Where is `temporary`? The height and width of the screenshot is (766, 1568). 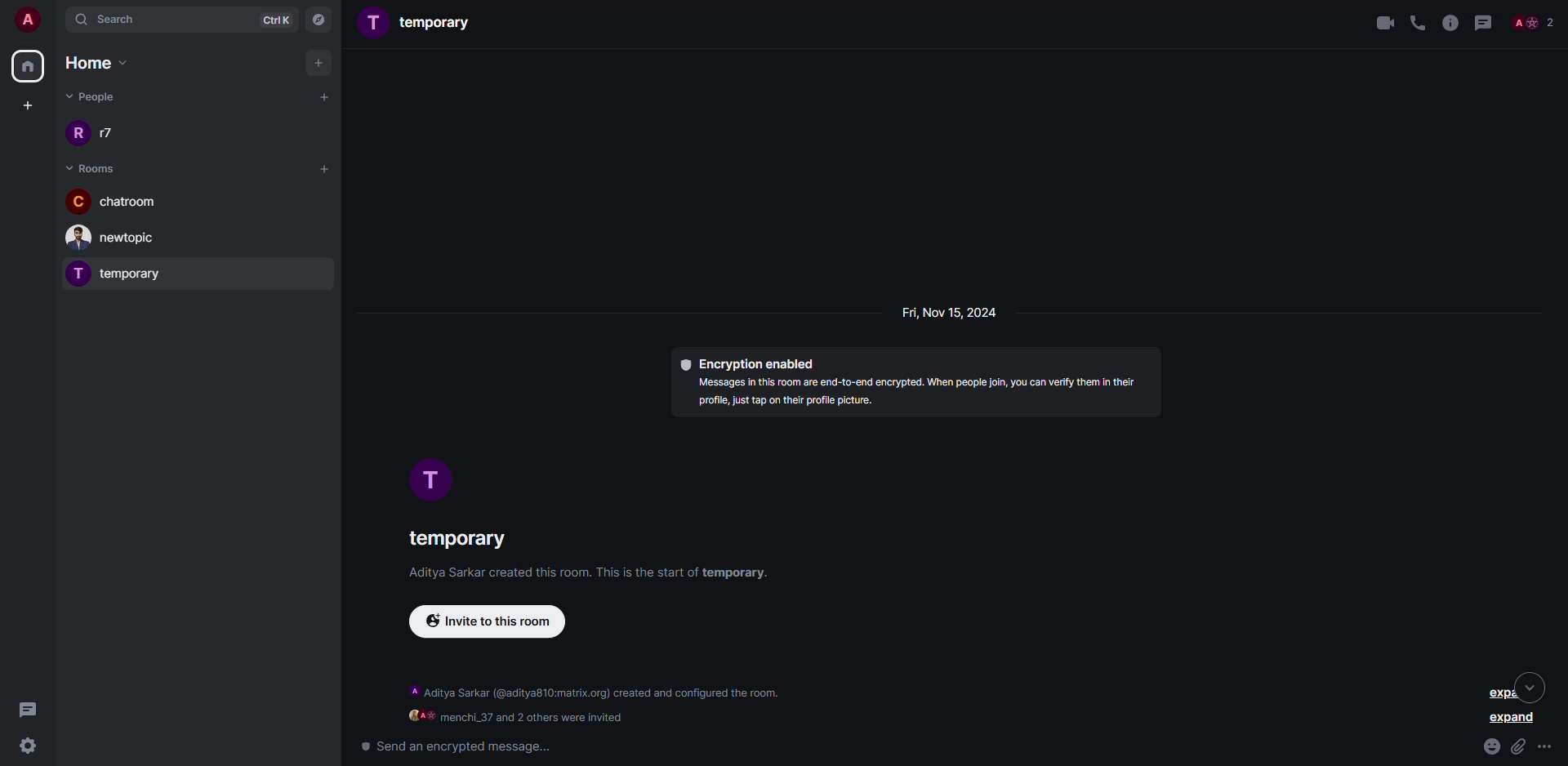
temporary is located at coordinates (456, 539).